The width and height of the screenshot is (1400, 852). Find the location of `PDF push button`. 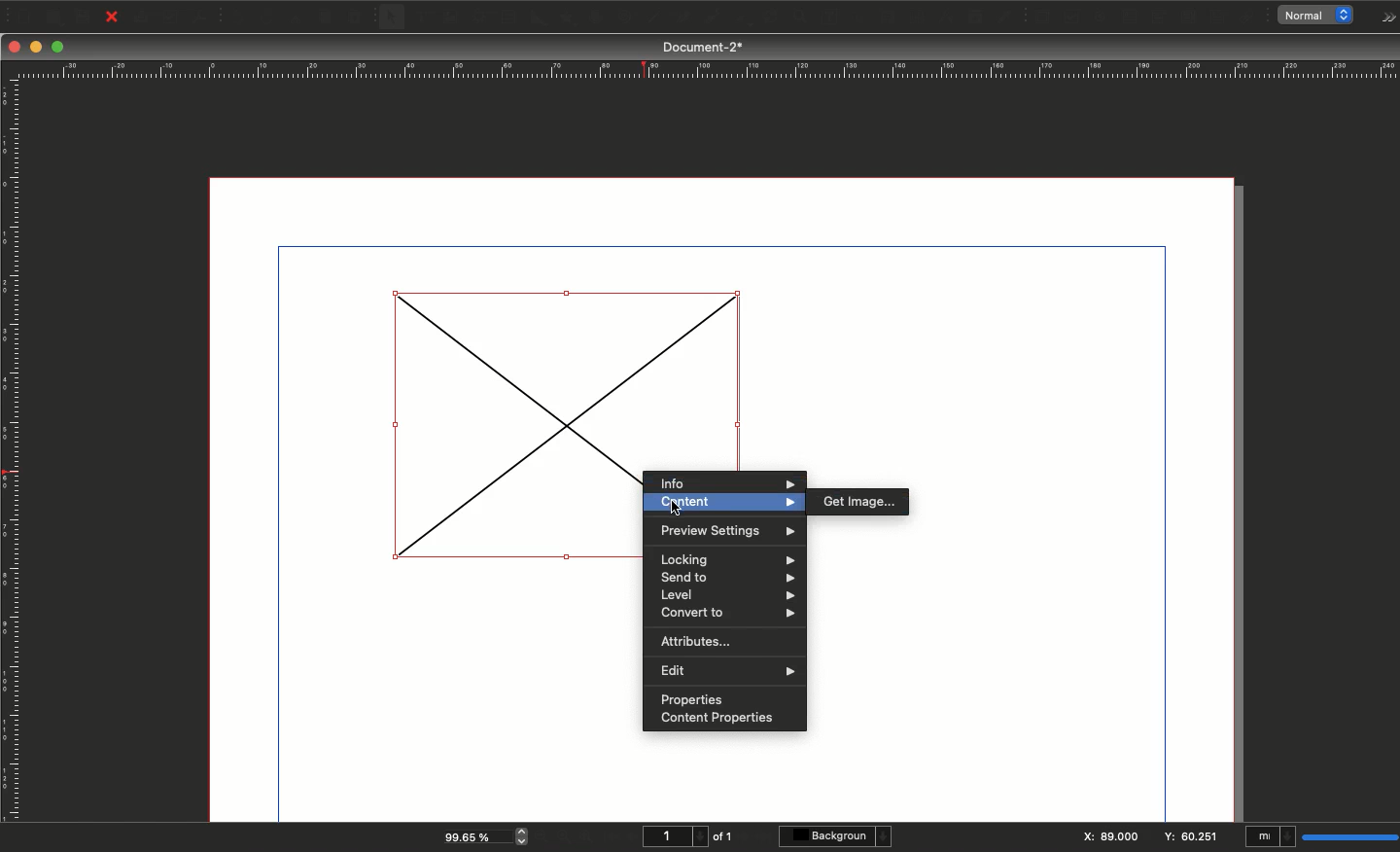

PDF push button is located at coordinates (1040, 17).